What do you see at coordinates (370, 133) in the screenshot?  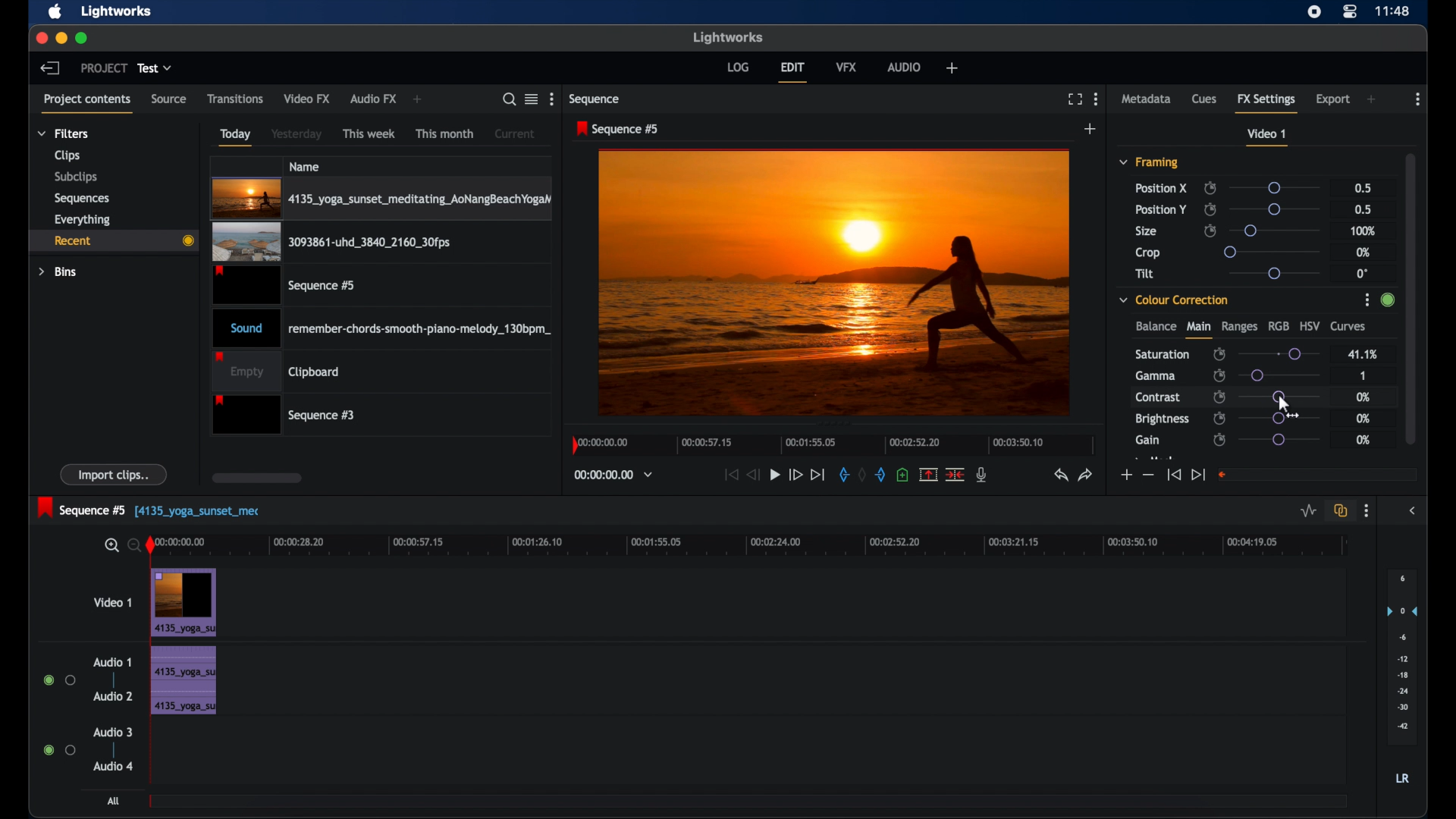 I see `this week` at bounding box center [370, 133].